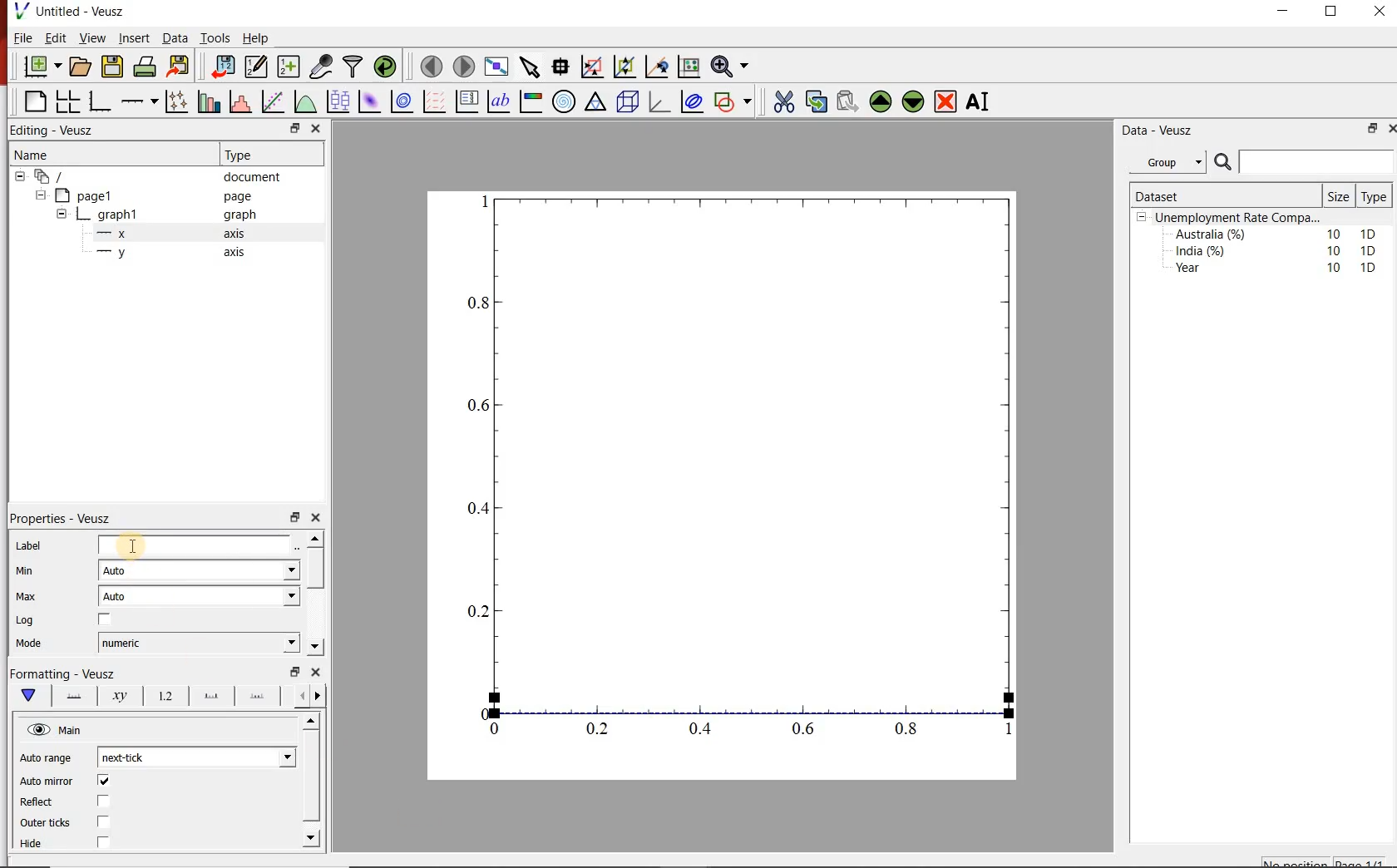 The image size is (1397, 868). What do you see at coordinates (175, 38) in the screenshot?
I see `Data` at bounding box center [175, 38].